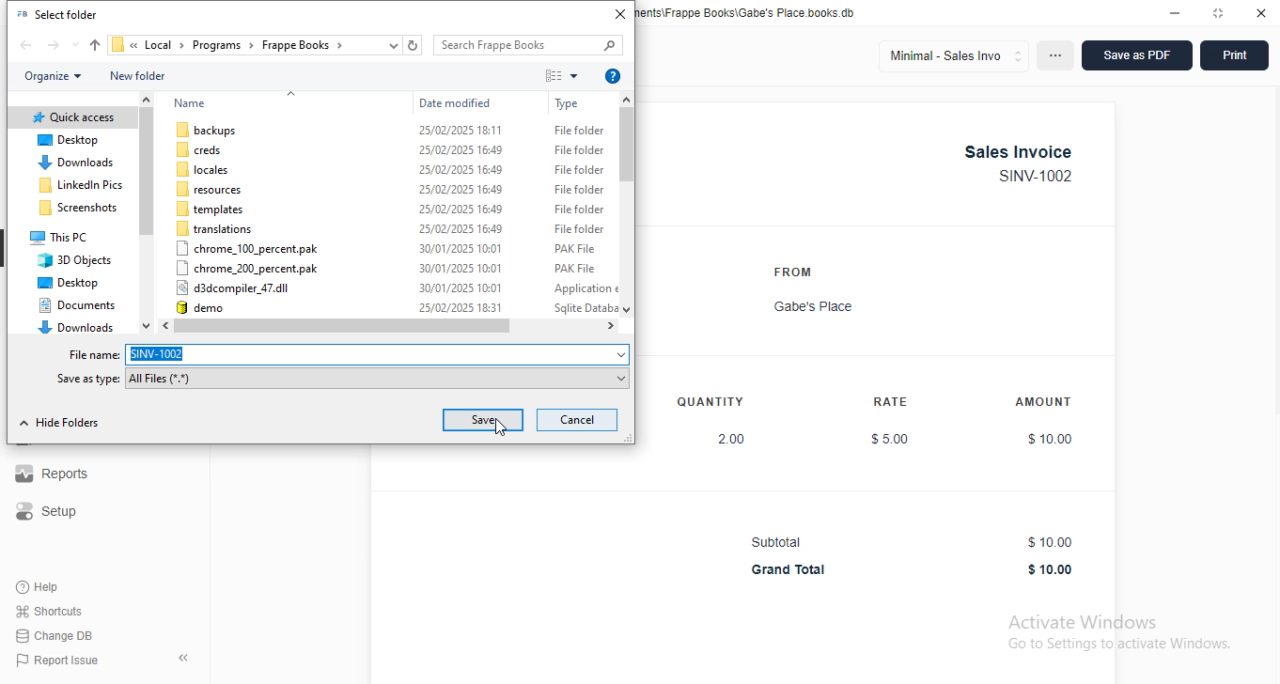 This screenshot has width=1280, height=684. I want to click on toggle maximize, so click(1219, 12).